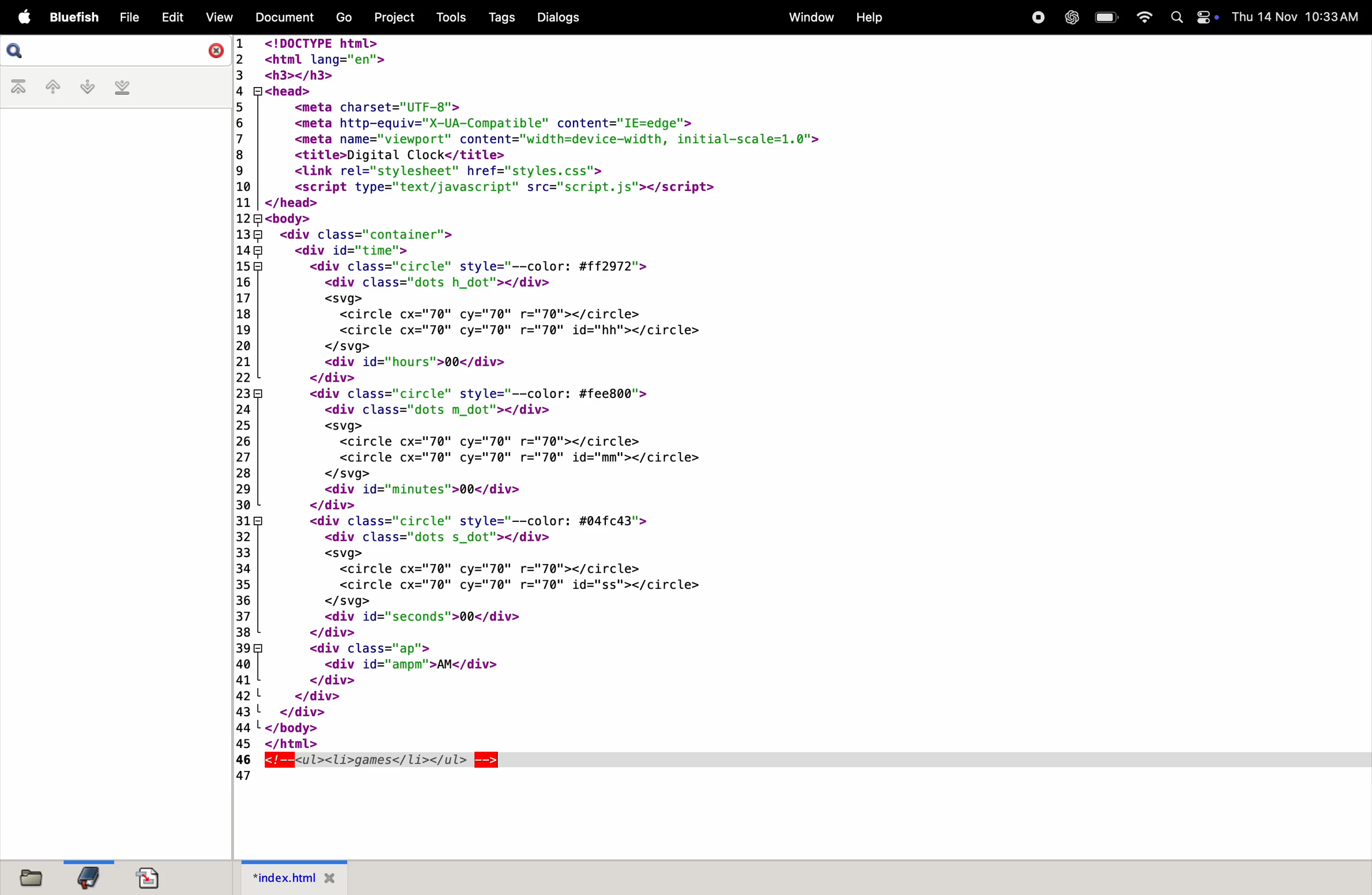  Describe the element at coordinates (1193, 17) in the screenshot. I see `apple widgets` at that location.